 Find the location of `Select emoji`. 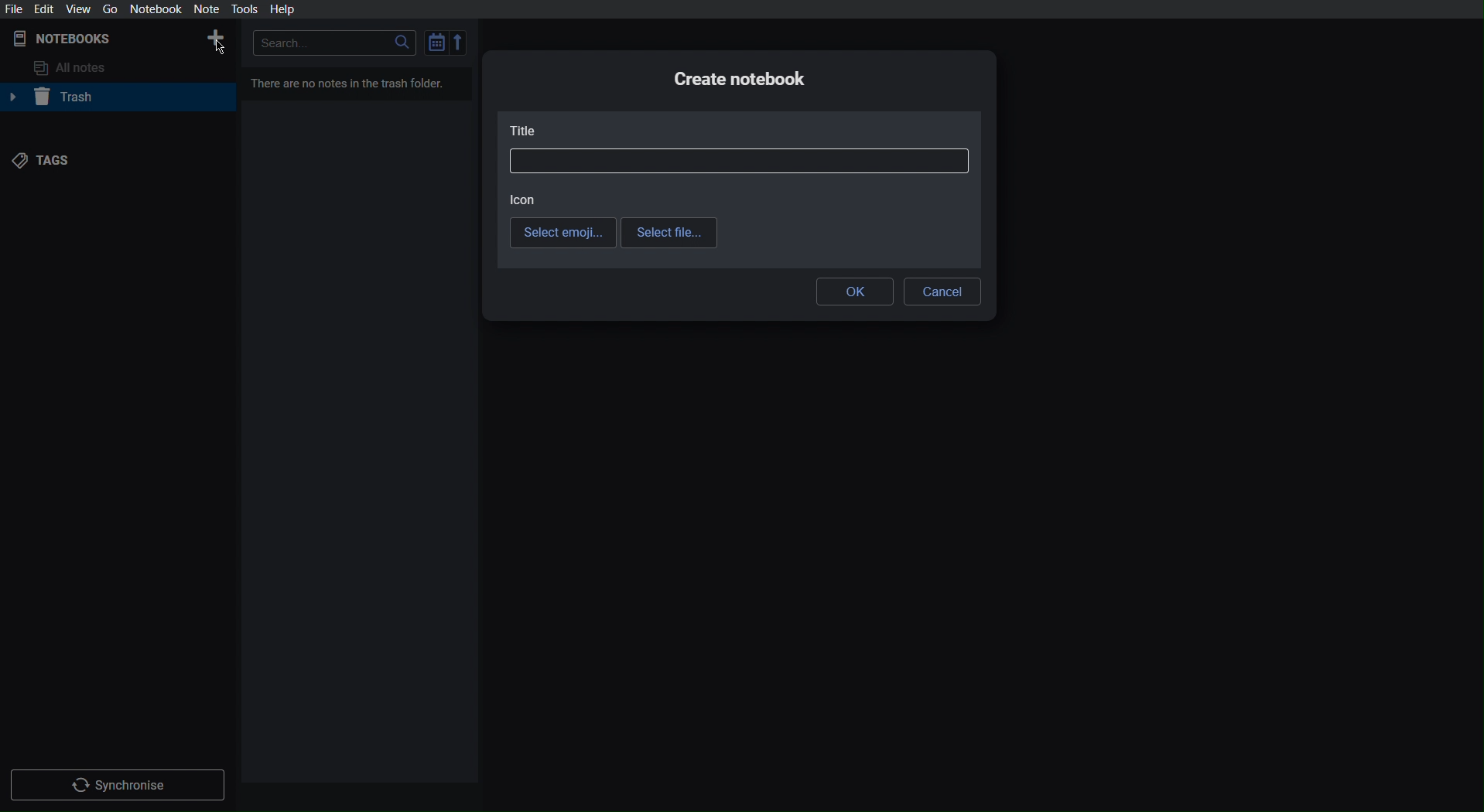

Select emoji is located at coordinates (562, 234).